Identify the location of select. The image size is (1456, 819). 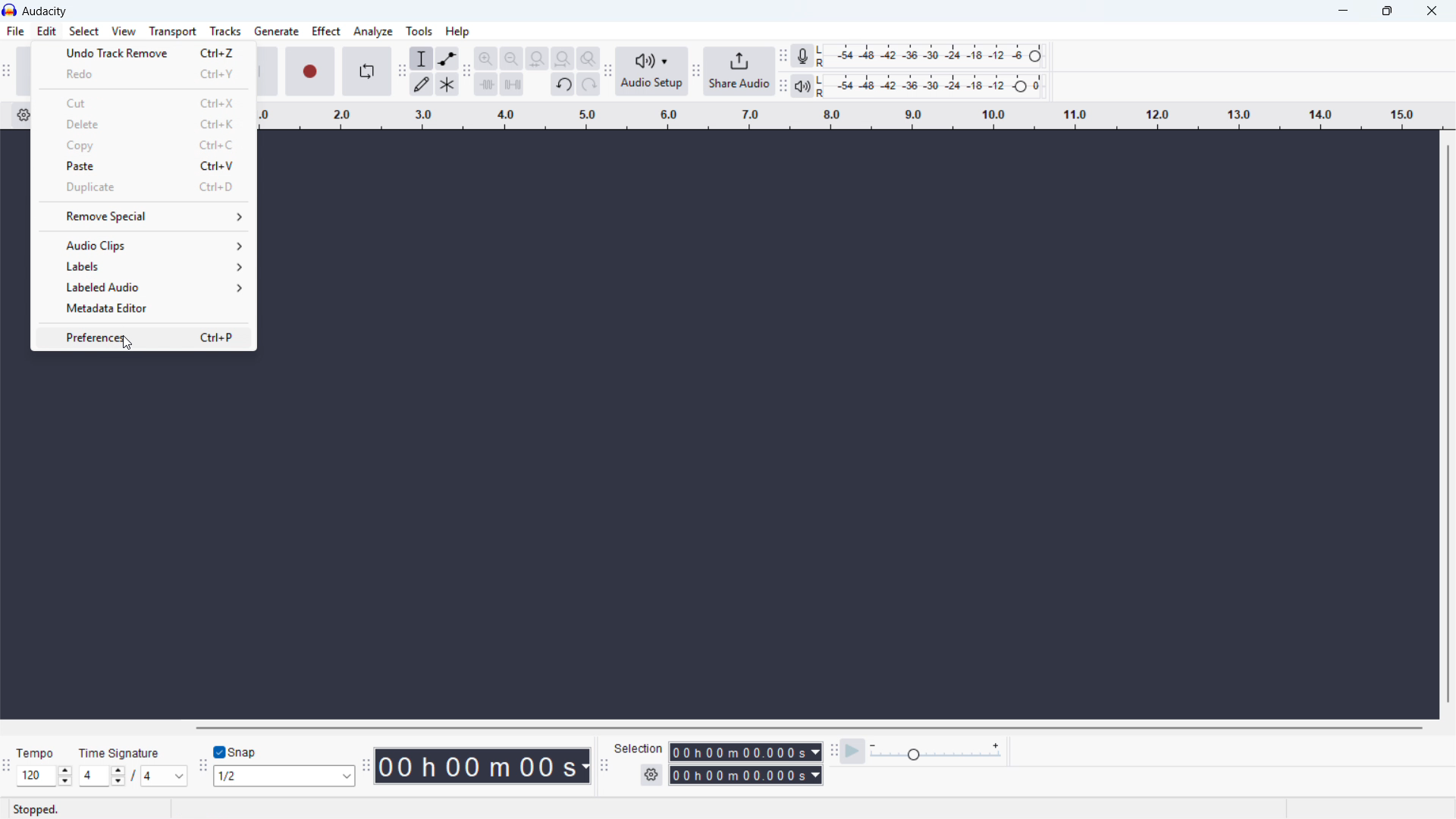
(84, 31).